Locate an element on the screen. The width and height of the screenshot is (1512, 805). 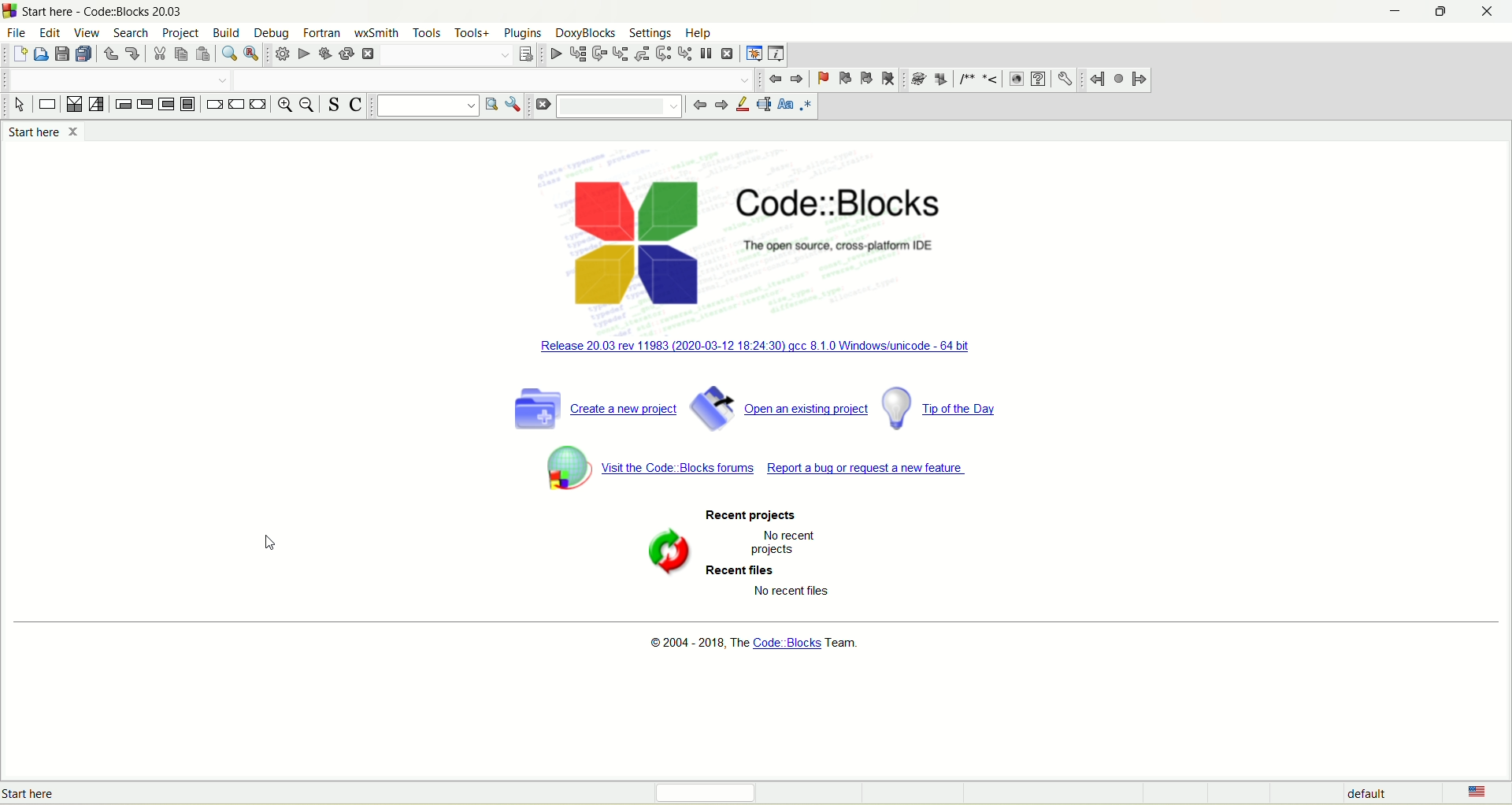
replace is located at coordinates (251, 53).